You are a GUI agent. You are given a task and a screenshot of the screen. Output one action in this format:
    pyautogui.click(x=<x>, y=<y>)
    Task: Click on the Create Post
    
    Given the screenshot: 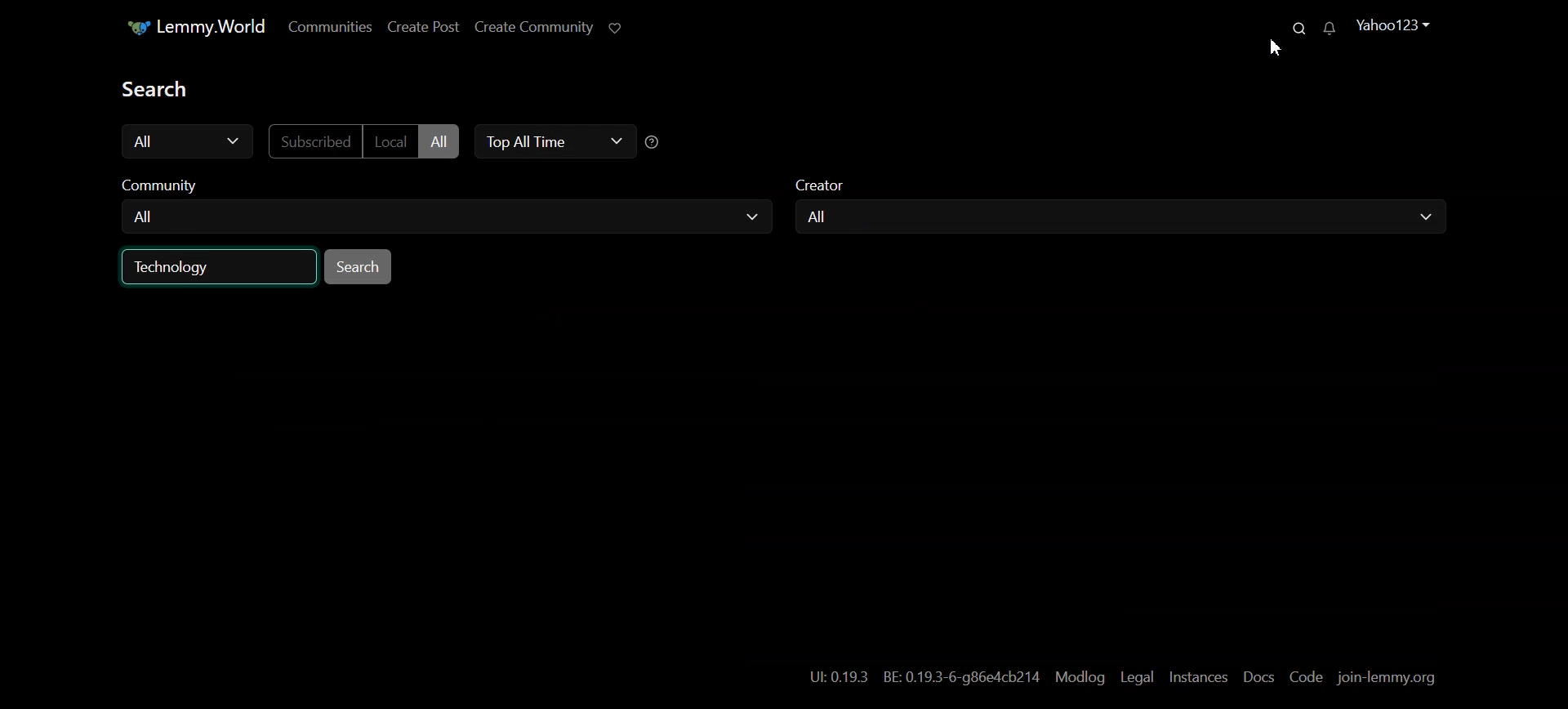 What is the action you would take?
    pyautogui.click(x=424, y=27)
    